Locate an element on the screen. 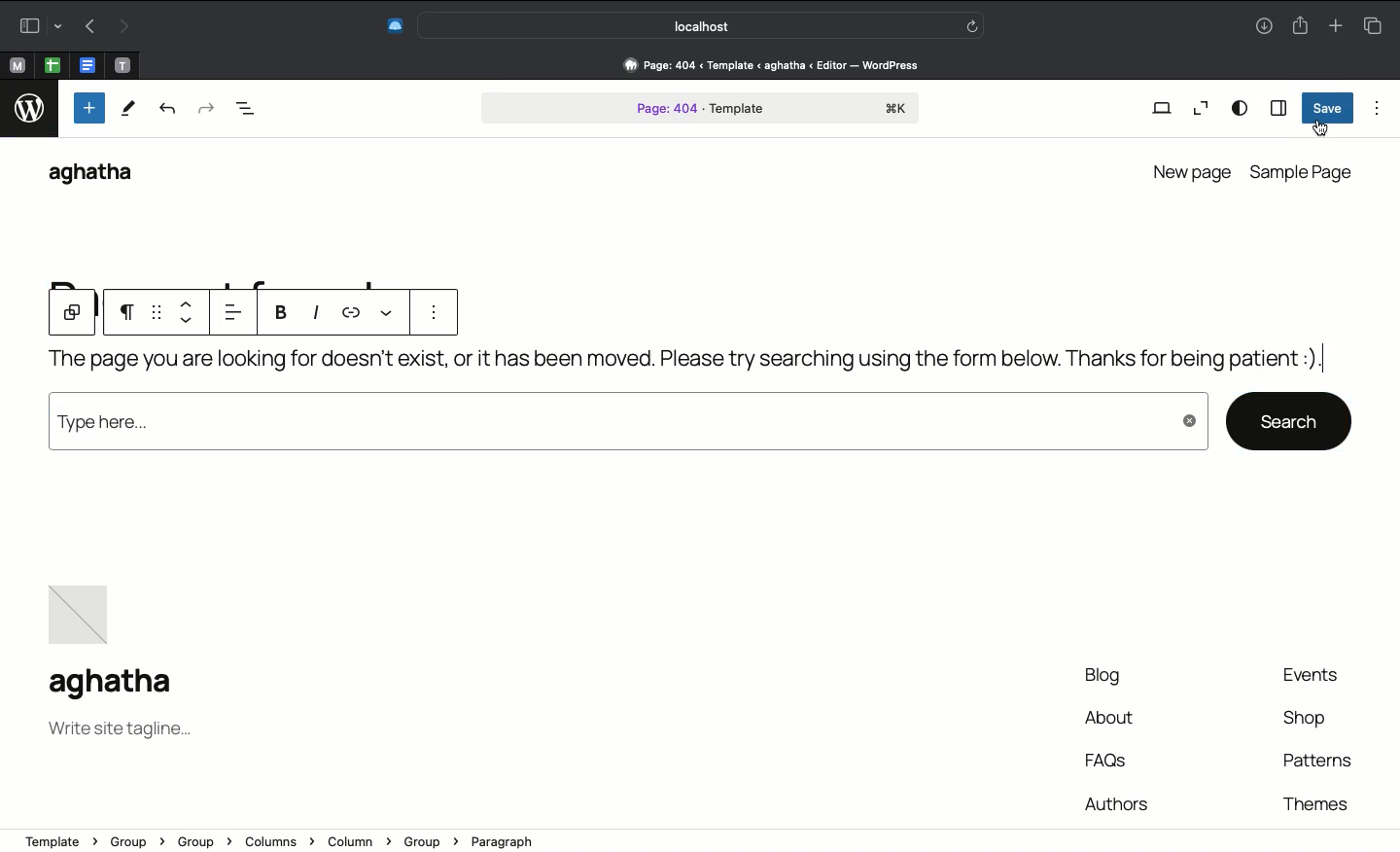  Italics is located at coordinates (319, 313).